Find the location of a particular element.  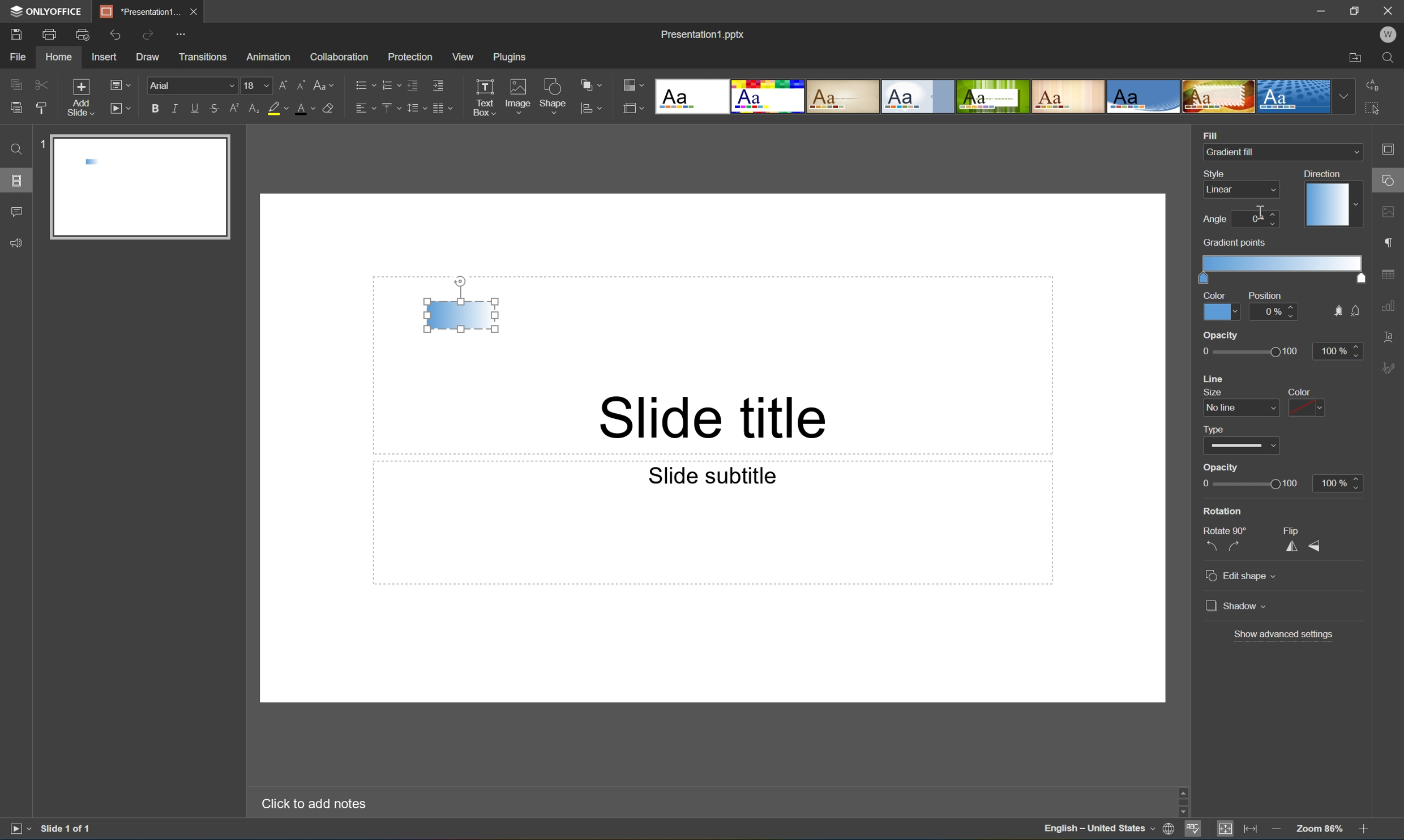

Bold is located at coordinates (156, 106).